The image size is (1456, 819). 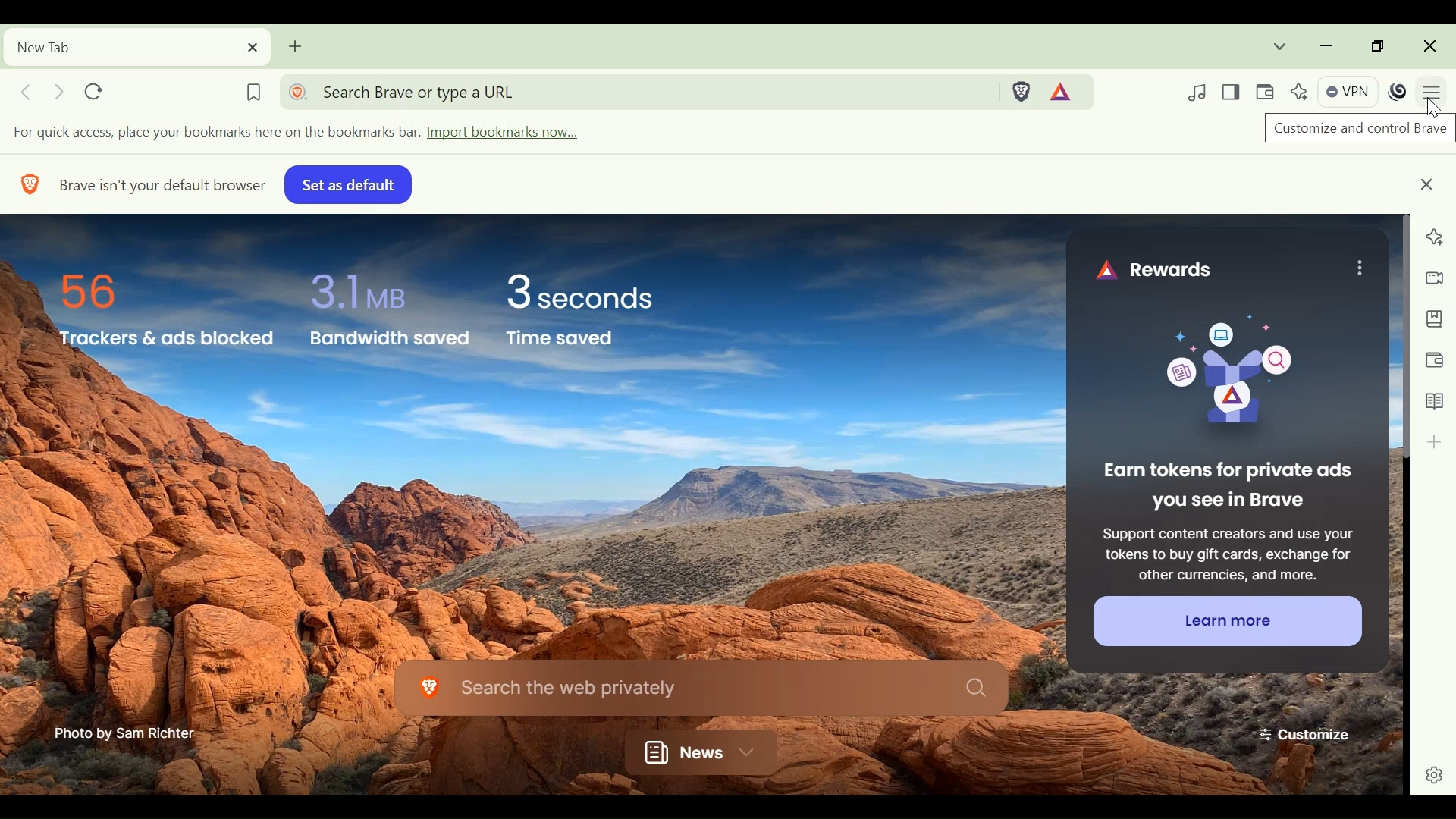 I want to click on 3 seconds, so click(x=591, y=292).